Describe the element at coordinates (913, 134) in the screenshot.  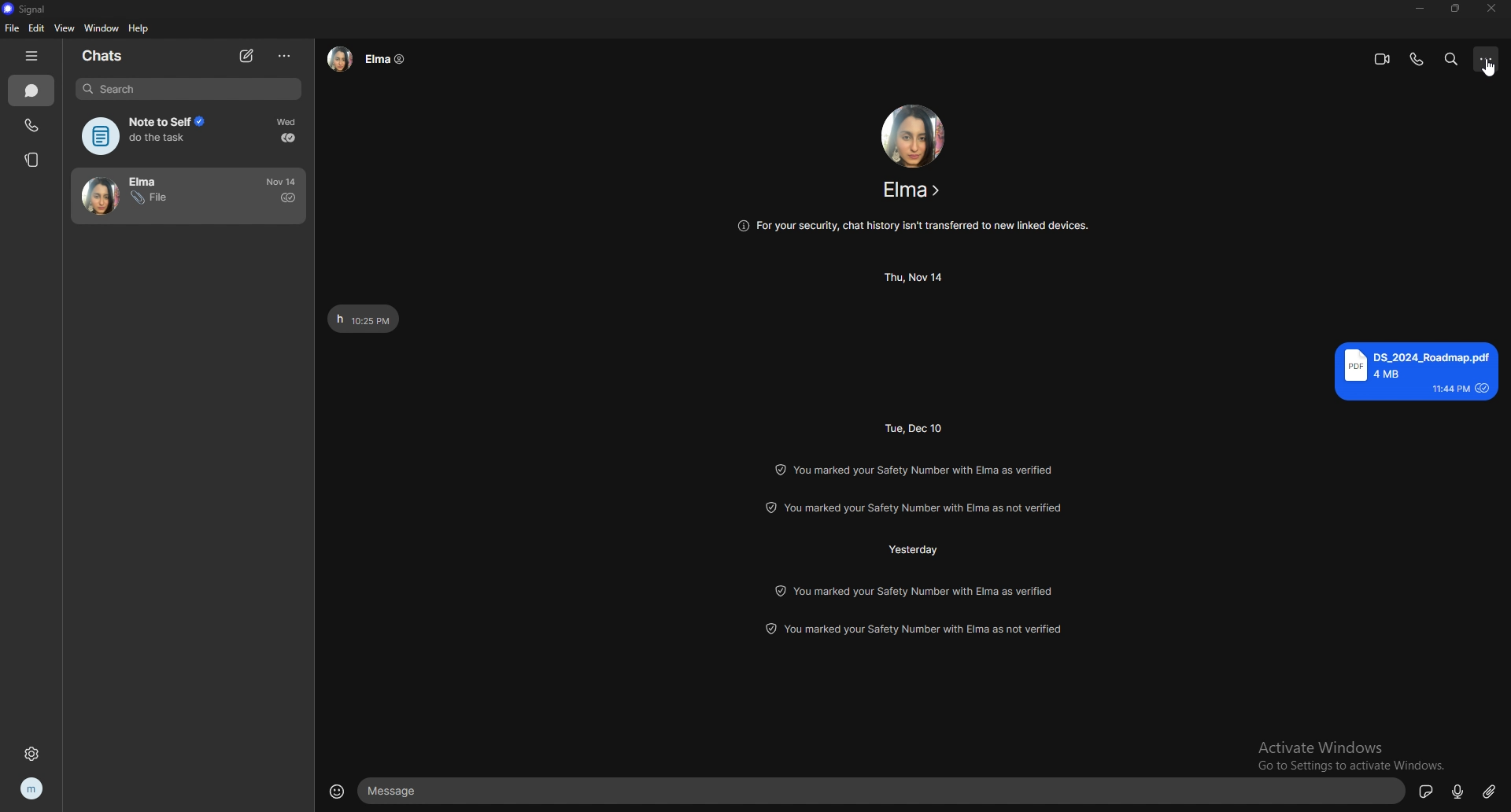
I see `contact photo` at that location.